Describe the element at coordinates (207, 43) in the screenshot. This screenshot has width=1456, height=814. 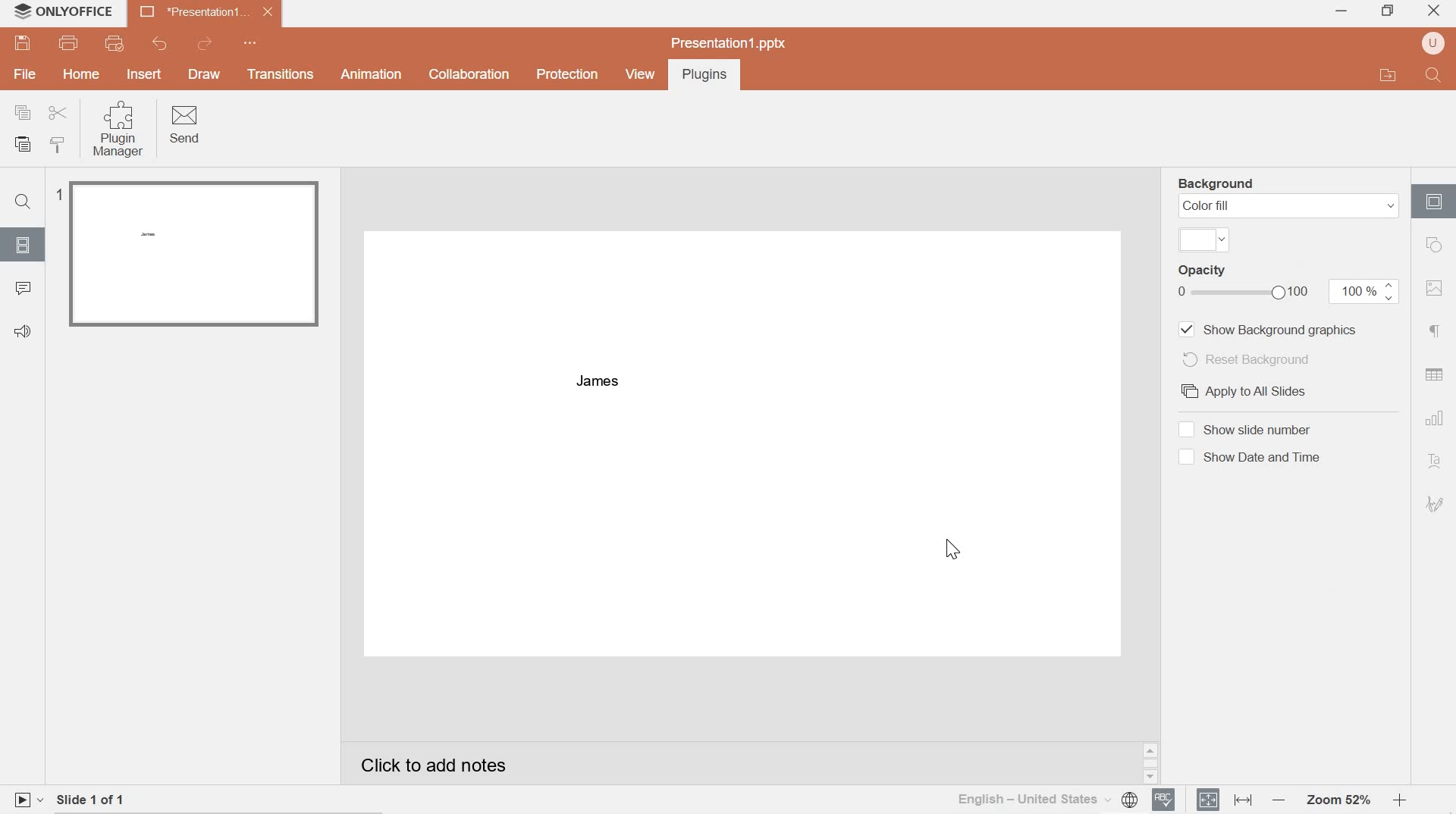
I see `redo` at that location.